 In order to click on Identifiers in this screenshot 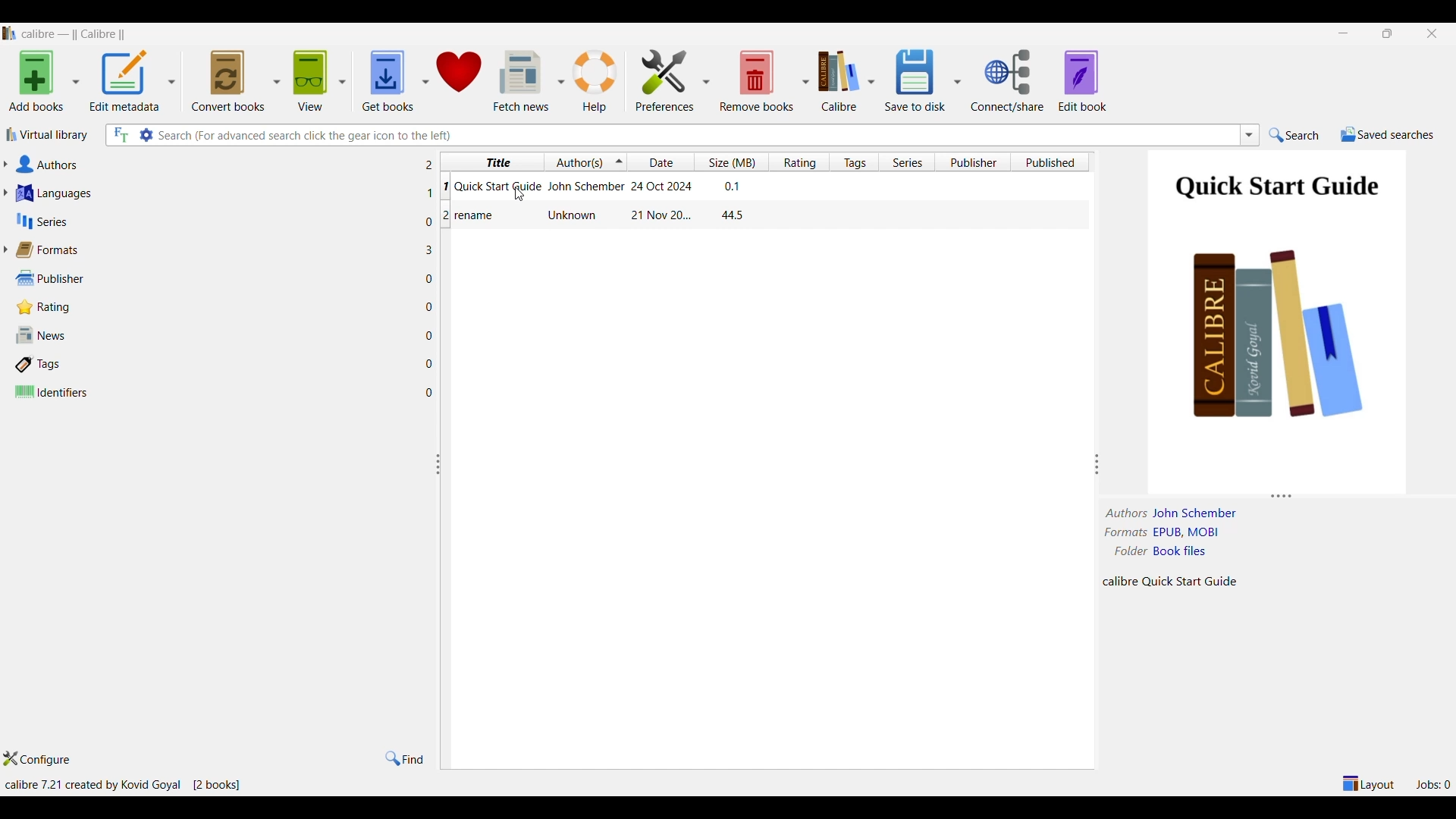, I will do `click(214, 392)`.